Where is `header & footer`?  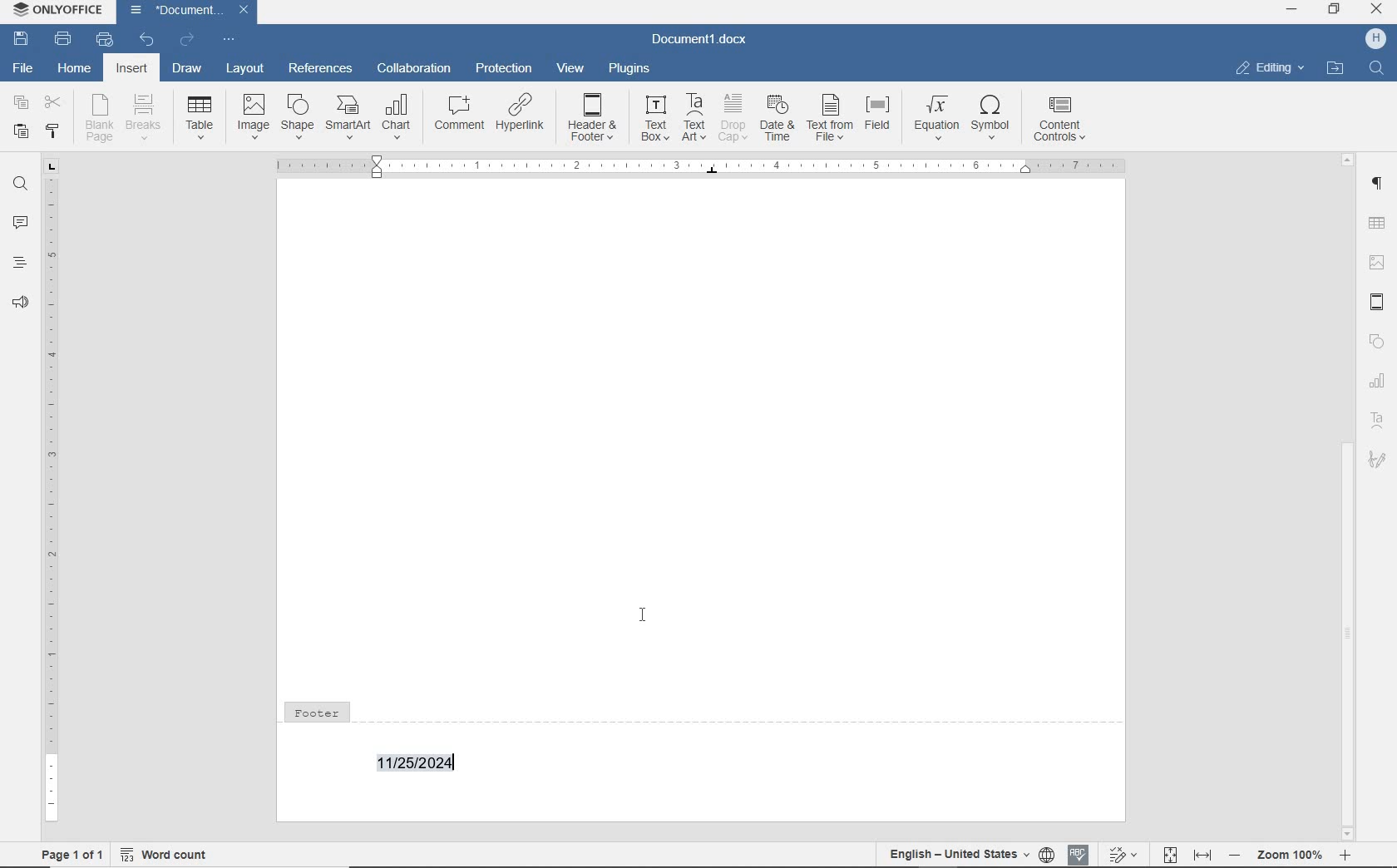 header & footer is located at coordinates (594, 118).